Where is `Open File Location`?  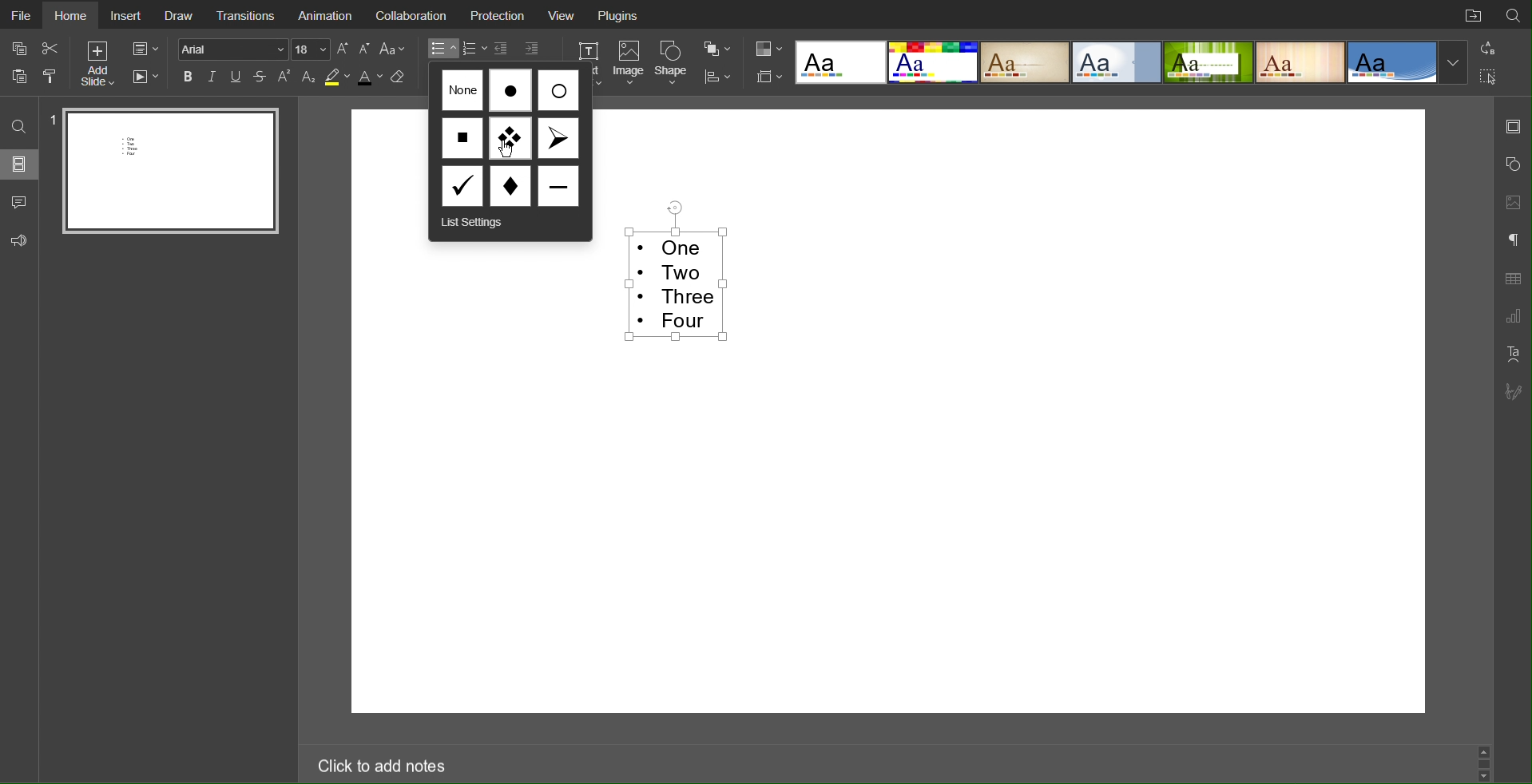 Open File Location is located at coordinates (1473, 14).